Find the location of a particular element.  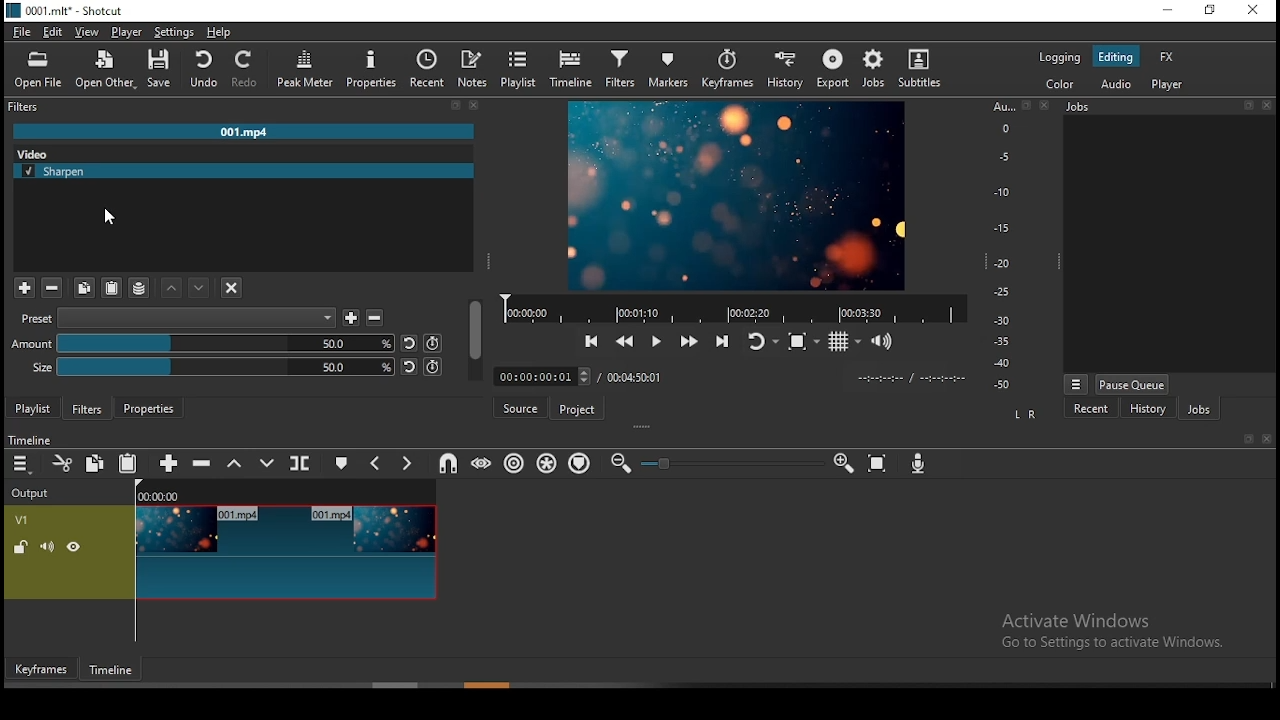

recent is located at coordinates (1093, 408).